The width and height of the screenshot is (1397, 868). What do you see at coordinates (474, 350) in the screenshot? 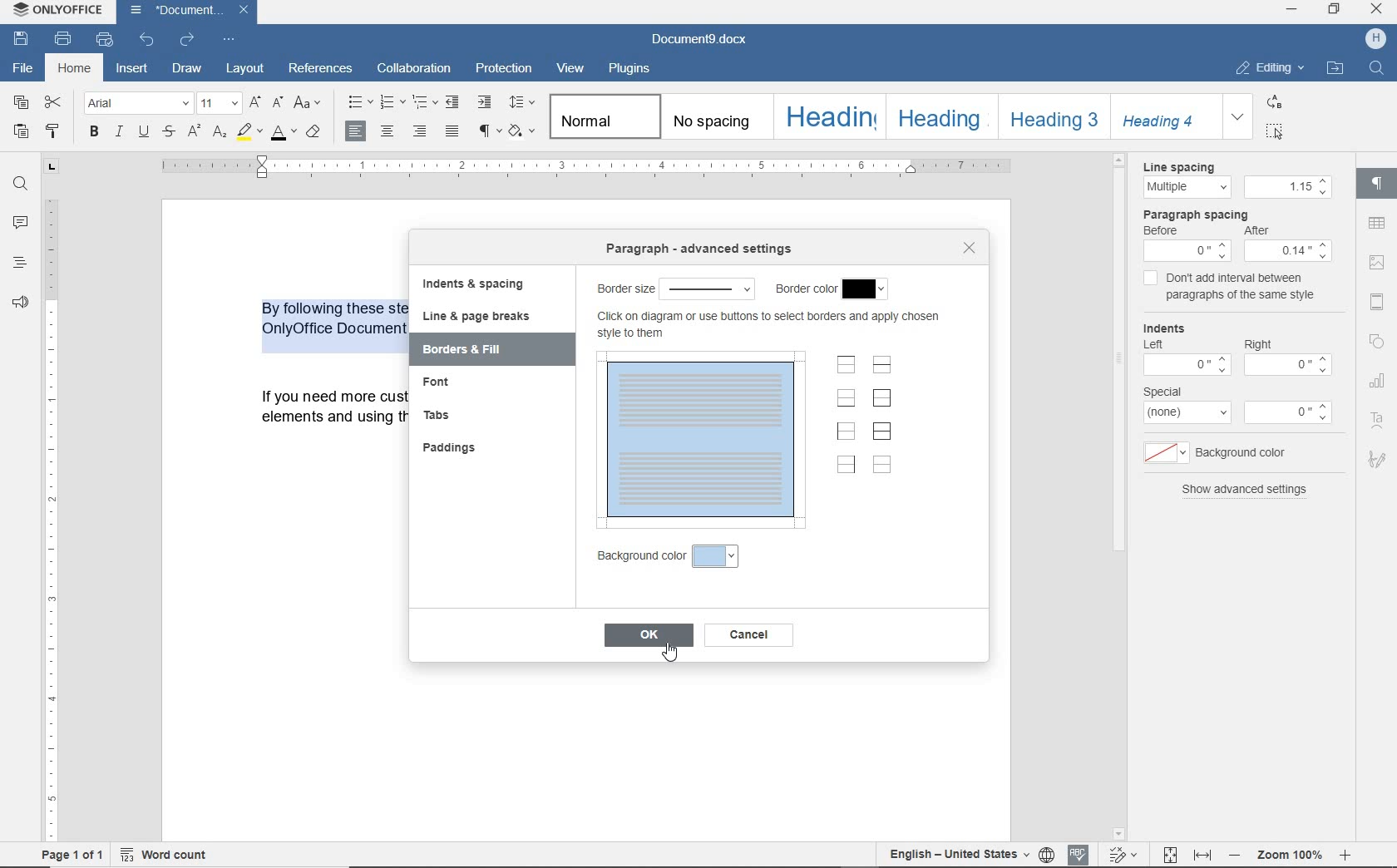
I see `borders & fill` at bounding box center [474, 350].